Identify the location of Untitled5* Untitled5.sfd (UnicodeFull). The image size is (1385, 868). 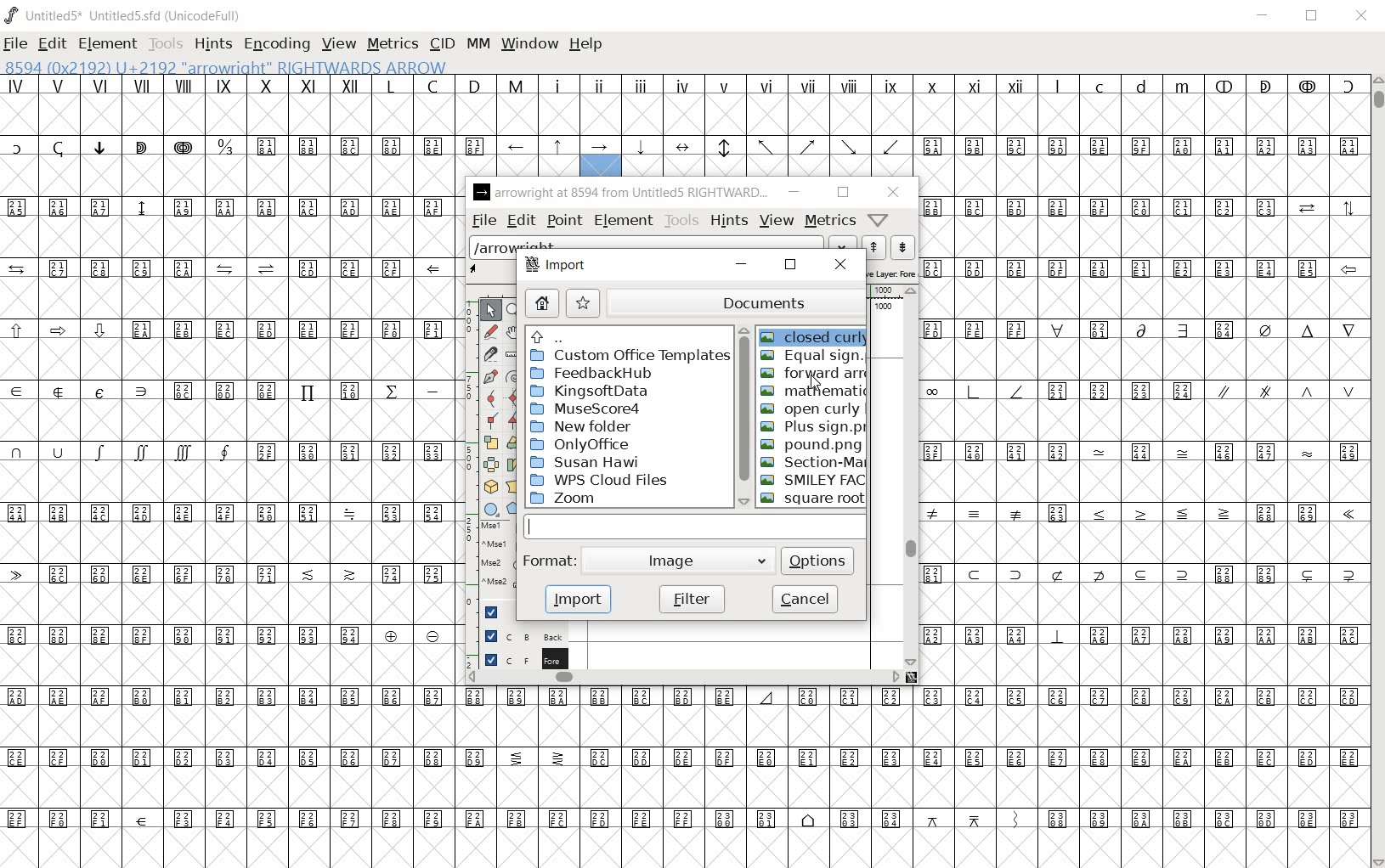
(126, 15).